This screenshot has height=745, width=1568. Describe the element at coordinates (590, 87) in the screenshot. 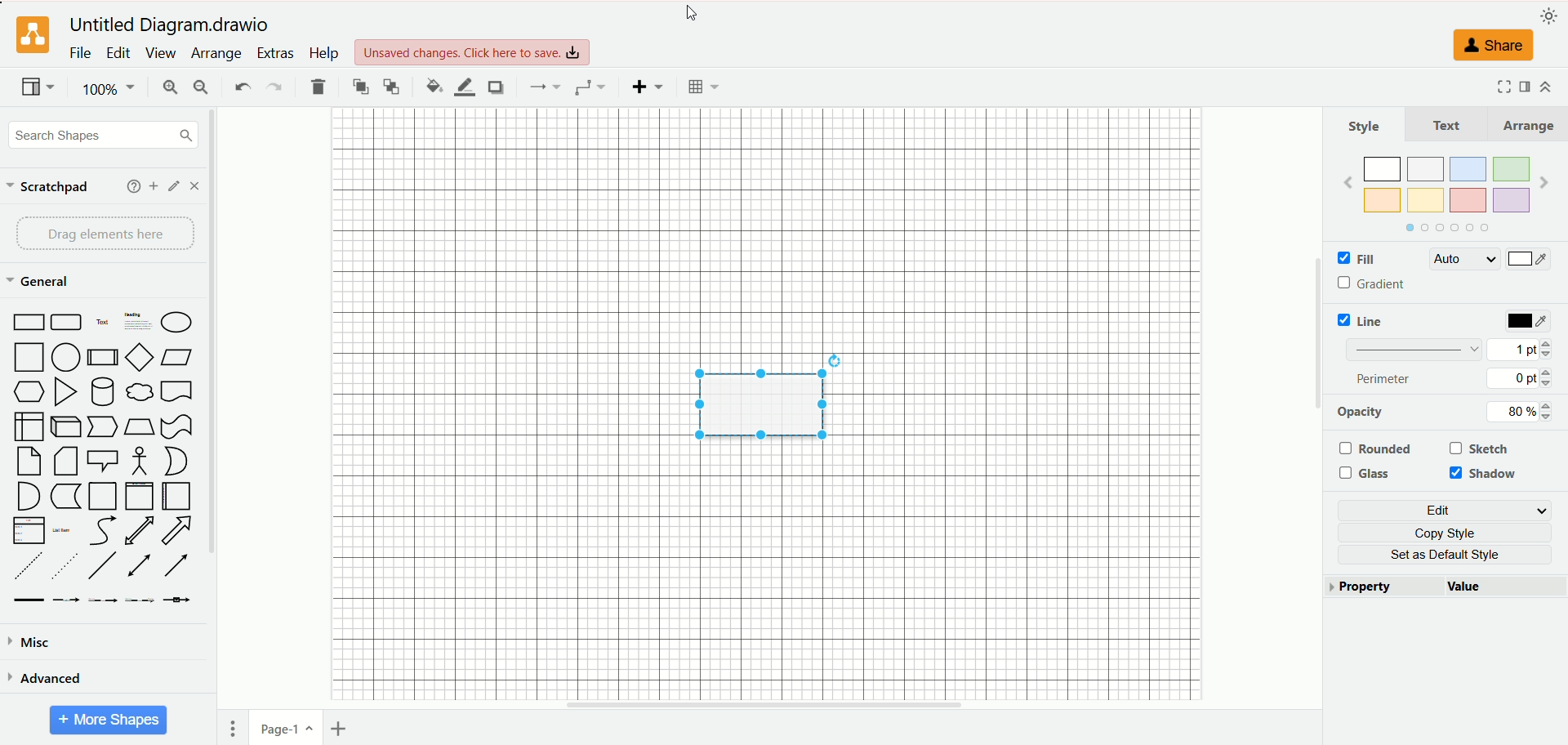

I see `waypoint` at that location.